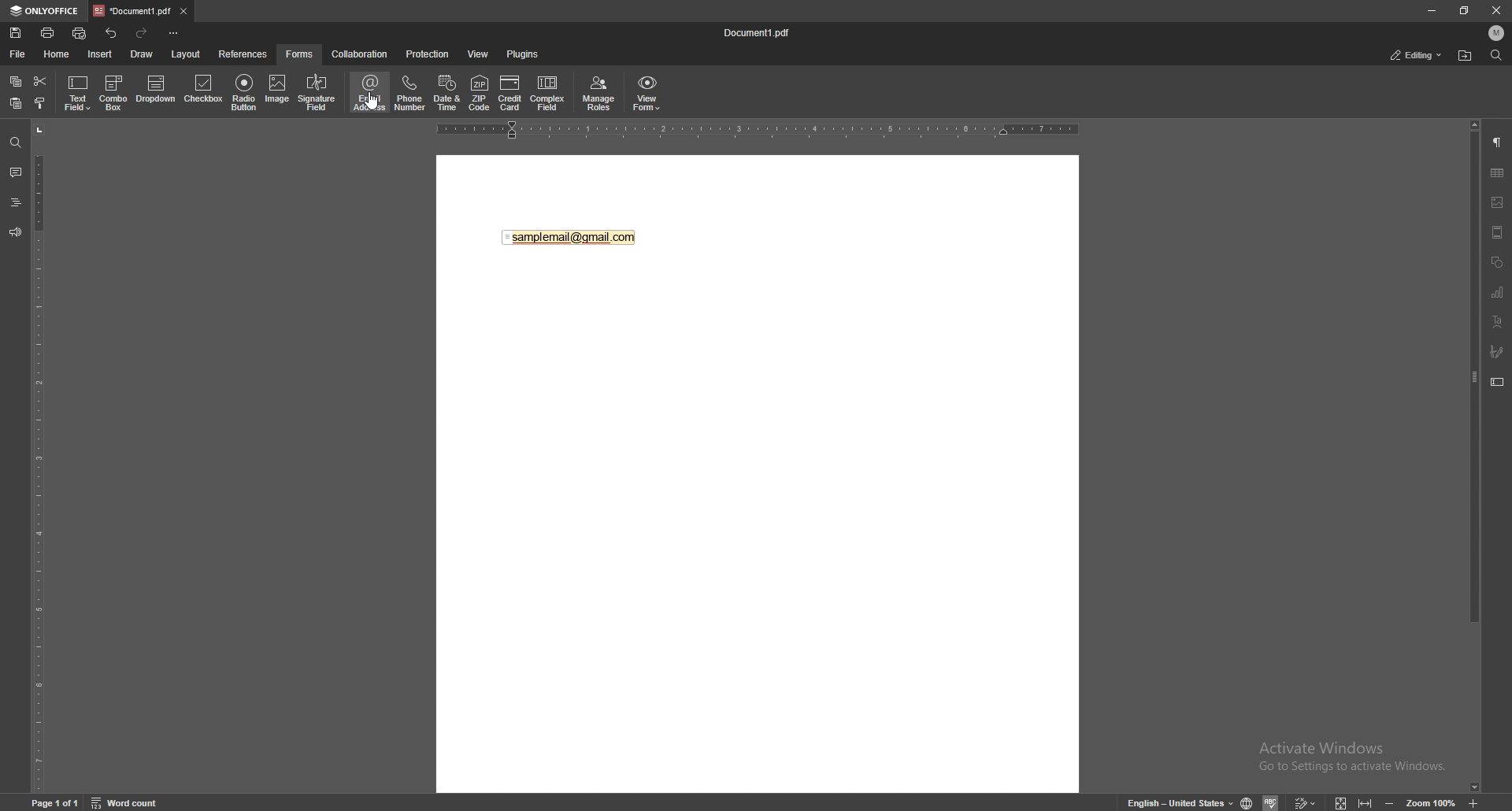 The height and width of the screenshot is (811, 1512). What do you see at coordinates (522, 54) in the screenshot?
I see `plugins` at bounding box center [522, 54].